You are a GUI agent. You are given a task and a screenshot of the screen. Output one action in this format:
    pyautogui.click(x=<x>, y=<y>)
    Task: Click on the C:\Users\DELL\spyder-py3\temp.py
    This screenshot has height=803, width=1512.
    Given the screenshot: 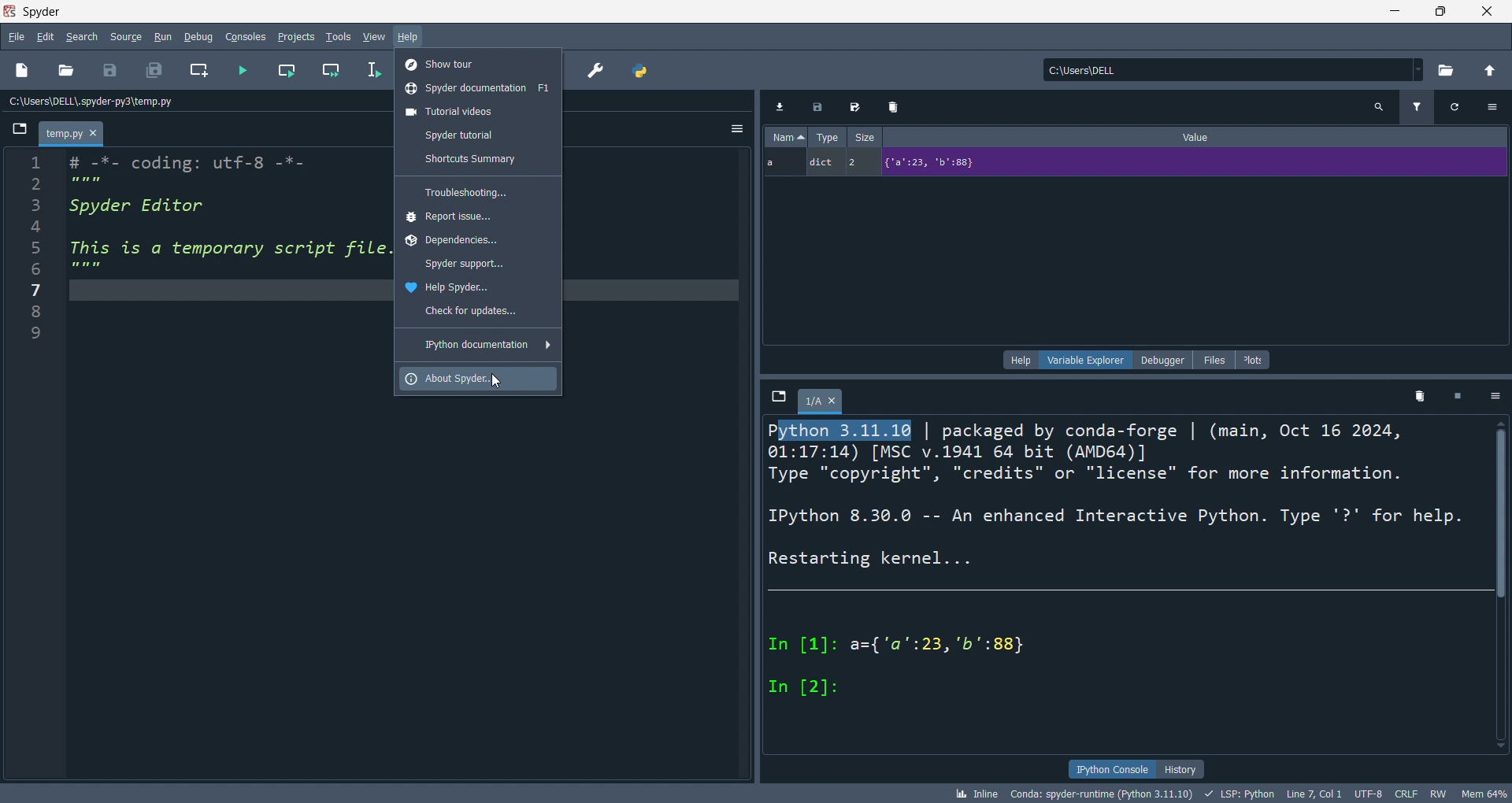 What is the action you would take?
    pyautogui.click(x=93, y=101)
    